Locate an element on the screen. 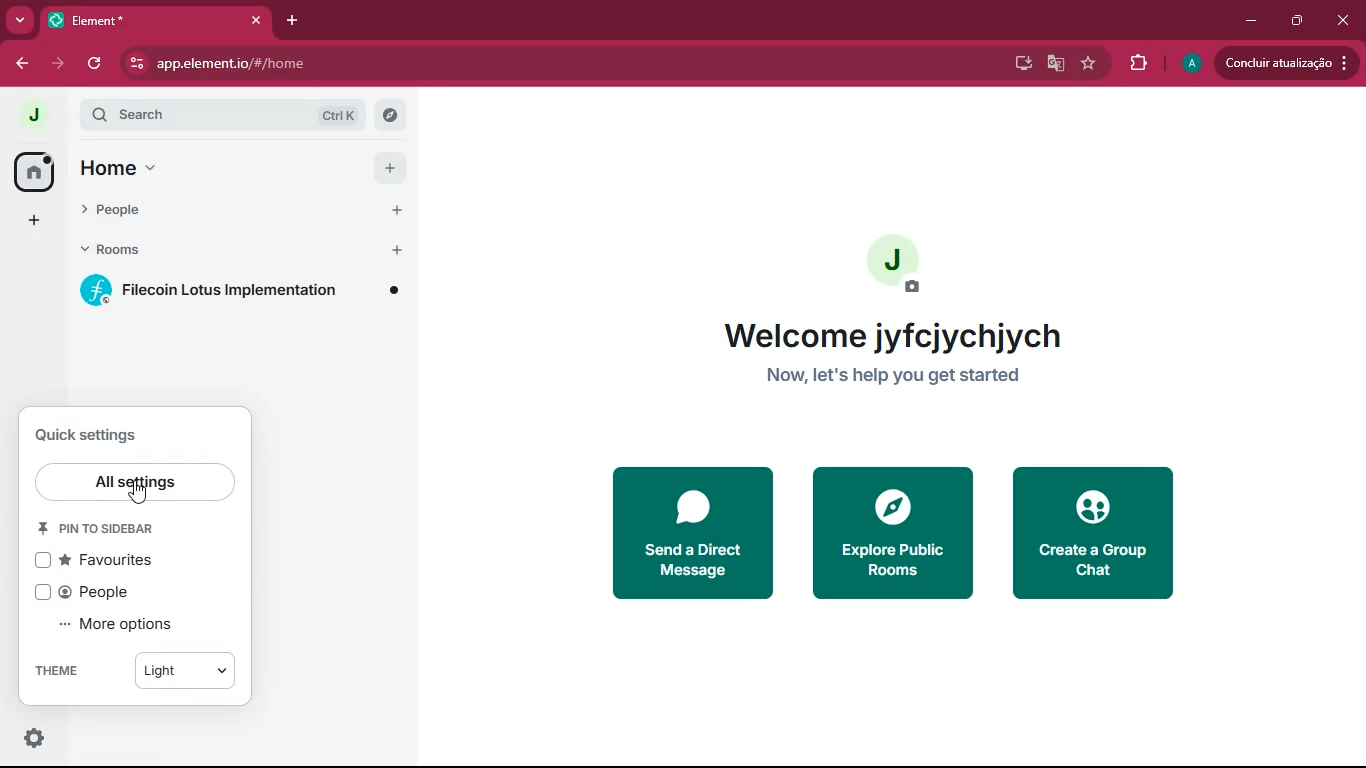 The height and width of the screenshot is (768, 1366). rooms is located at coordinates (135, 250).